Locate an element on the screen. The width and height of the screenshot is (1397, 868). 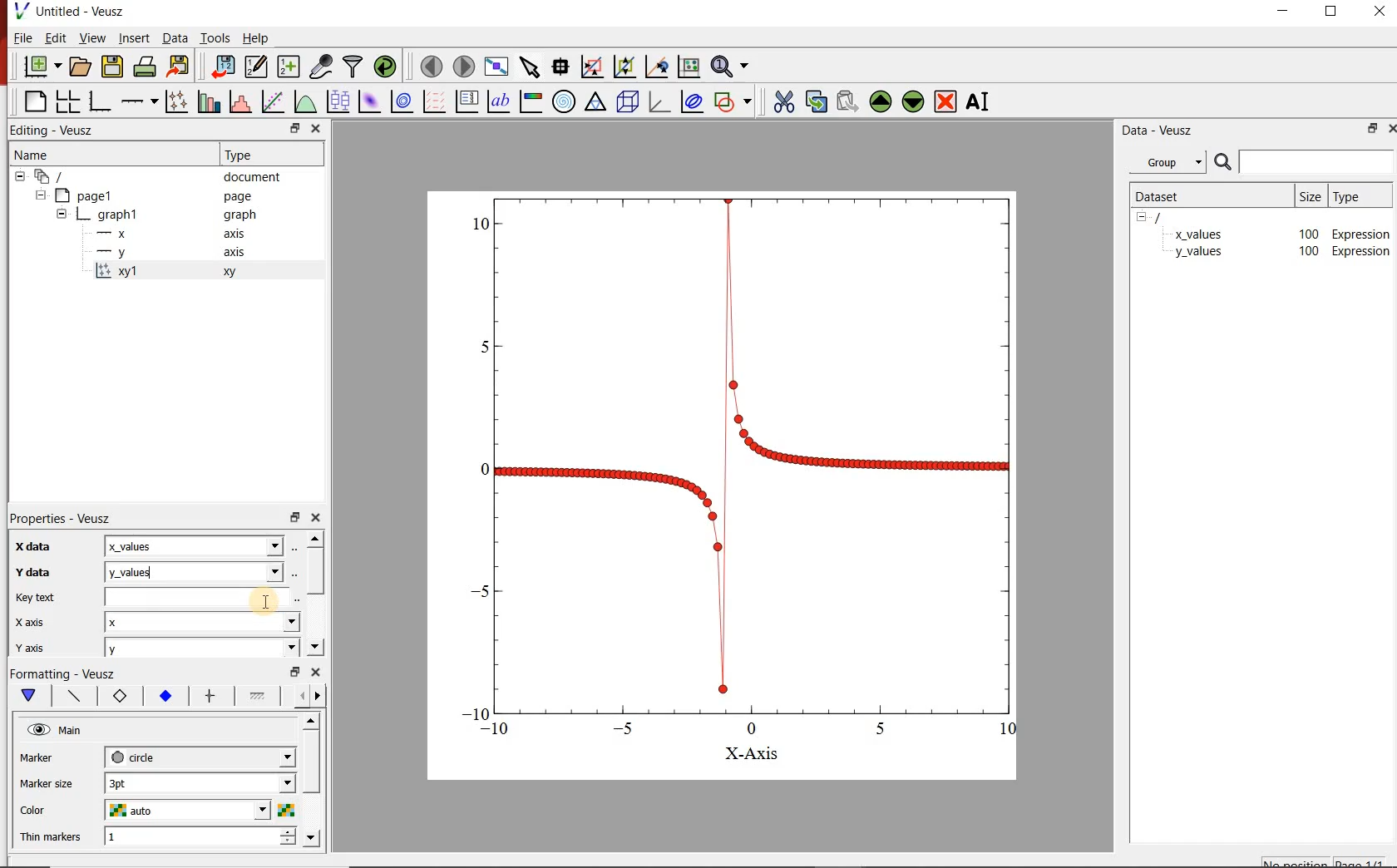
dataset is located at coordinates (1170, 196).